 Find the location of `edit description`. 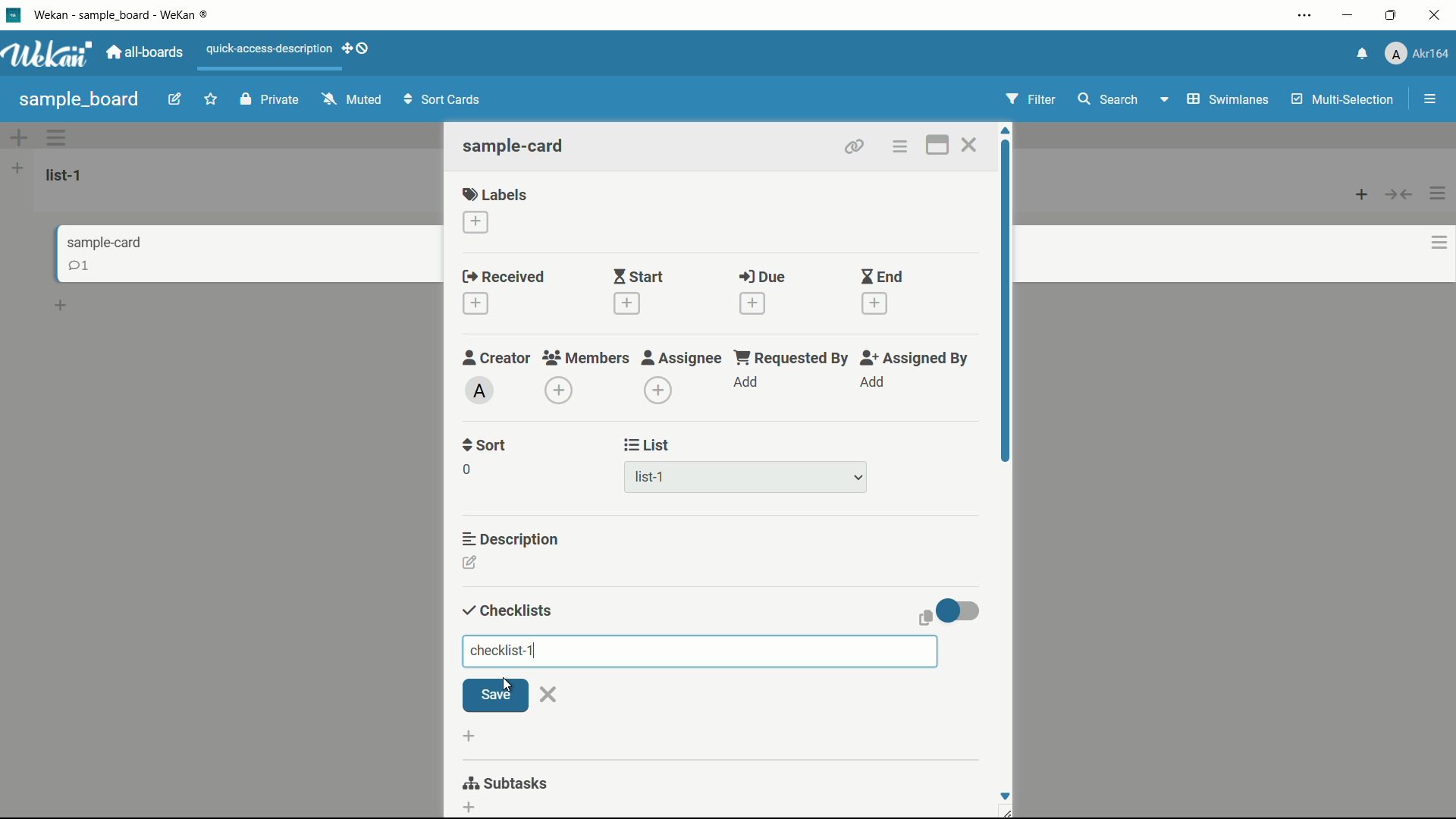

edit description is located at coordinates (470, 563).